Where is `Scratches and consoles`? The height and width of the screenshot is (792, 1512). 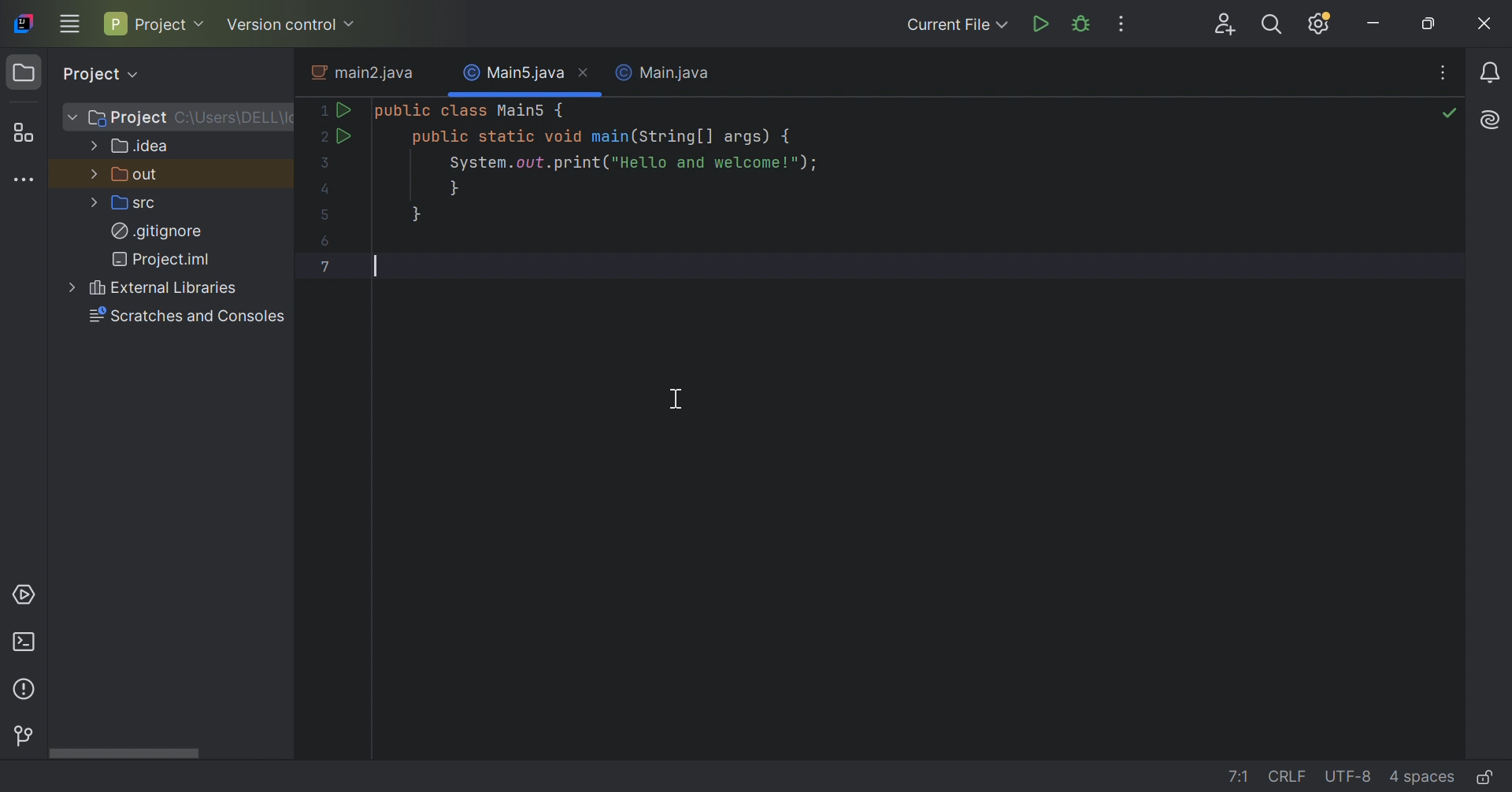
Scratches and consoles is located at coordinates (187, 316).